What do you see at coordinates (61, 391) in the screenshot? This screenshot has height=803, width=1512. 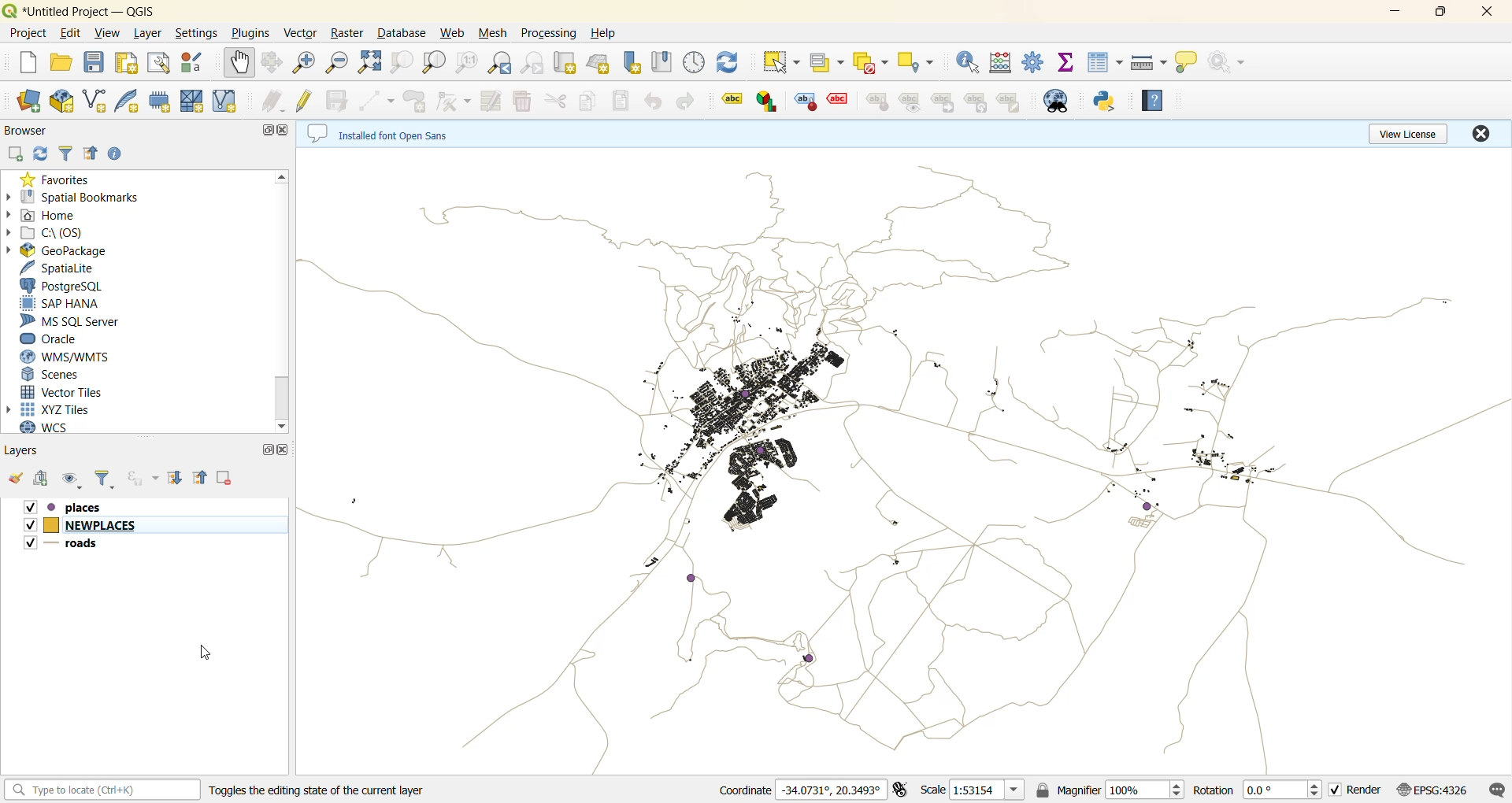 I see `vector tiles` at bounding box center [61, 391].